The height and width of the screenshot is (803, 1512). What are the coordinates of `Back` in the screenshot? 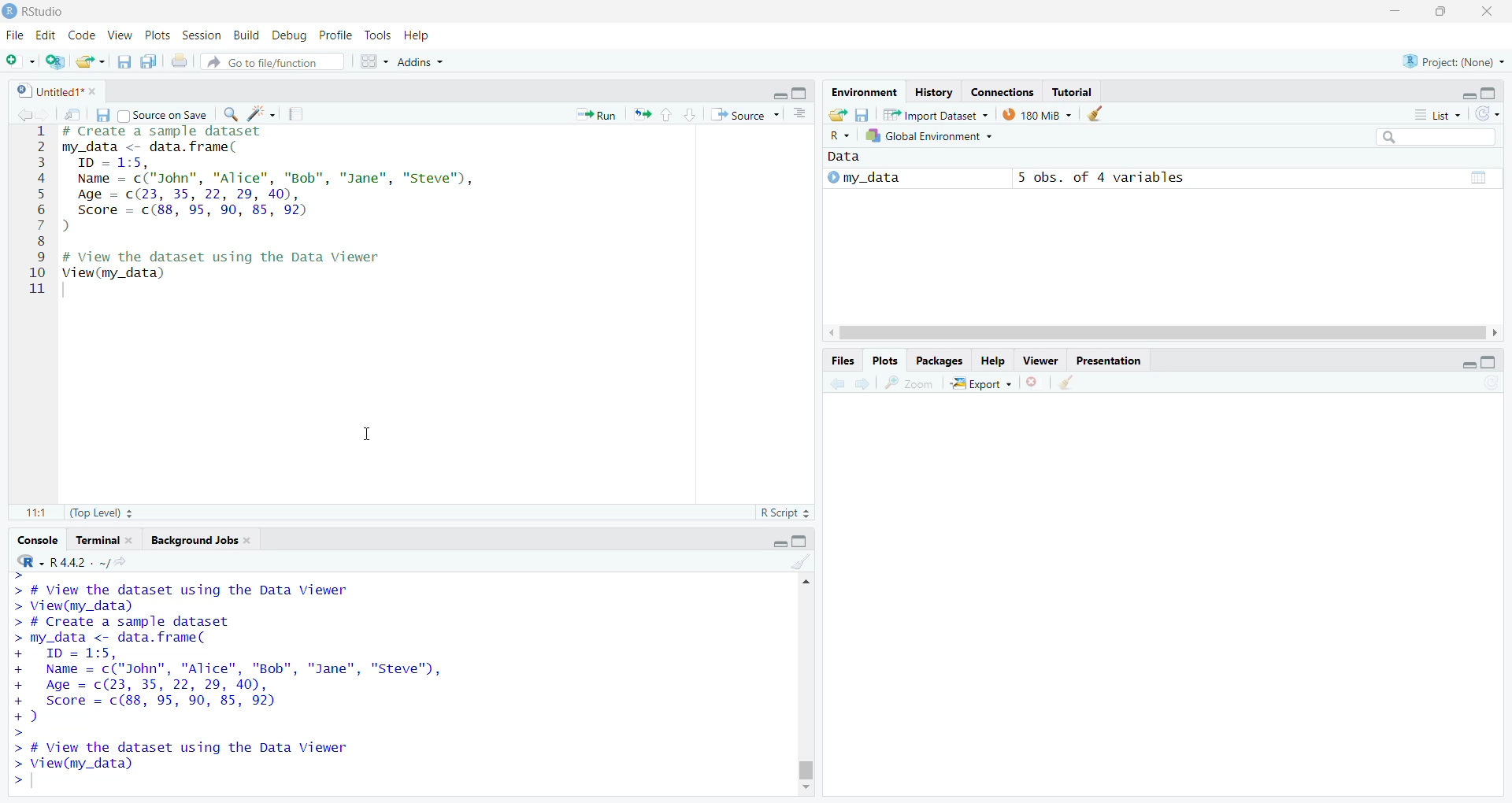 It's located at (24, 115).